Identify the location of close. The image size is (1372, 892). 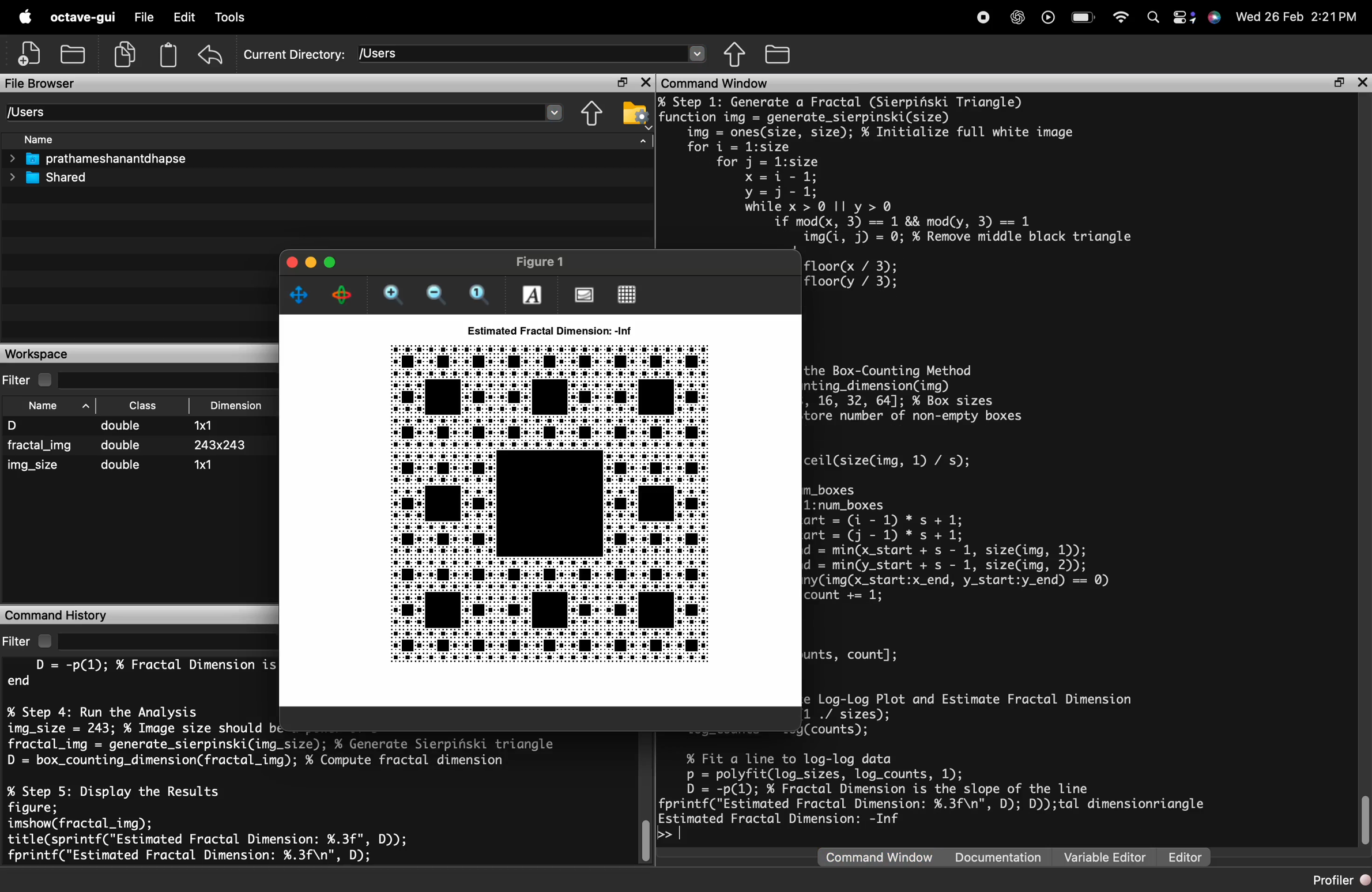
(644, 82).